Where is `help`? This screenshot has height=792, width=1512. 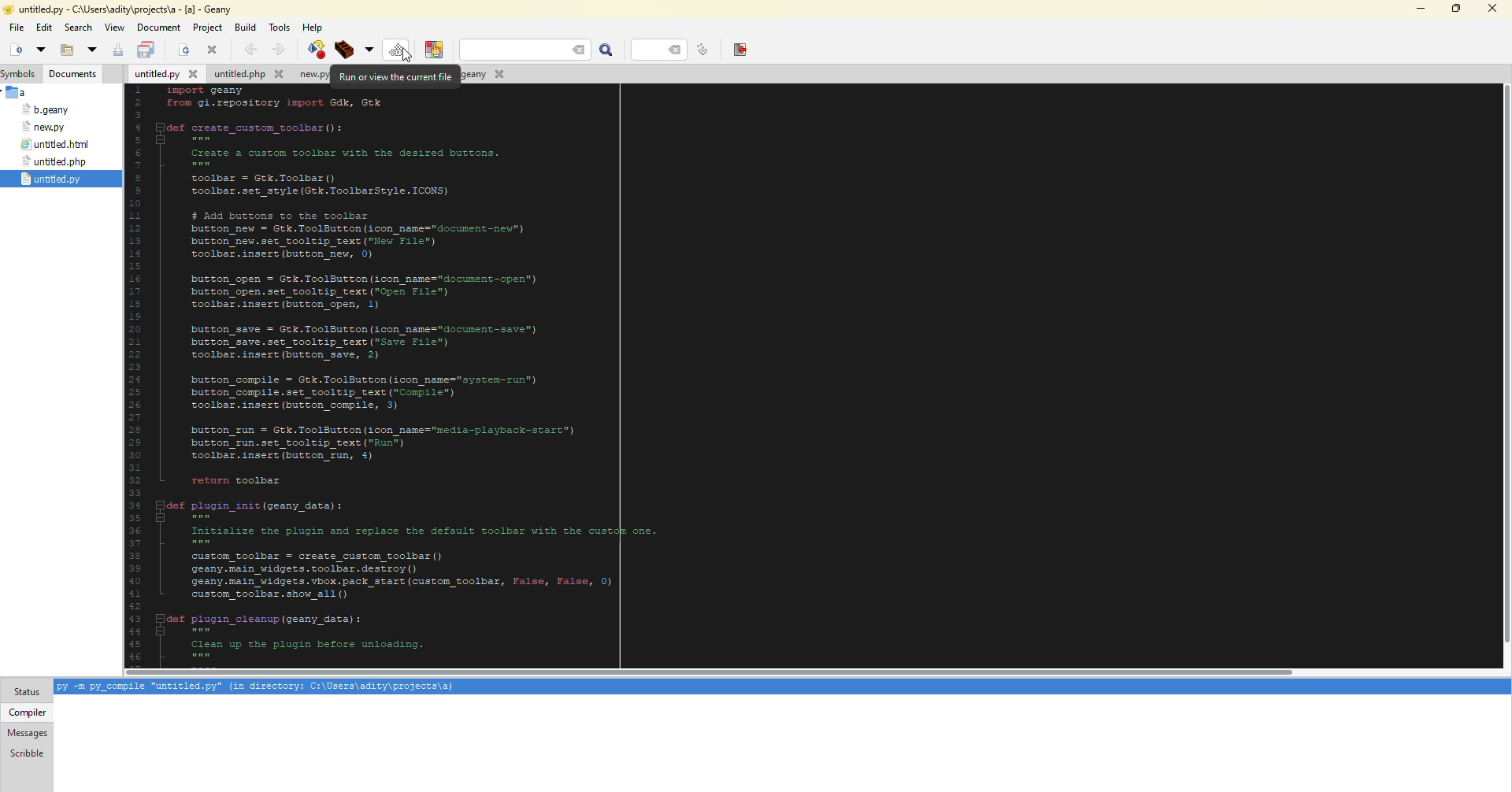
help is located at coordinates (313, 28).